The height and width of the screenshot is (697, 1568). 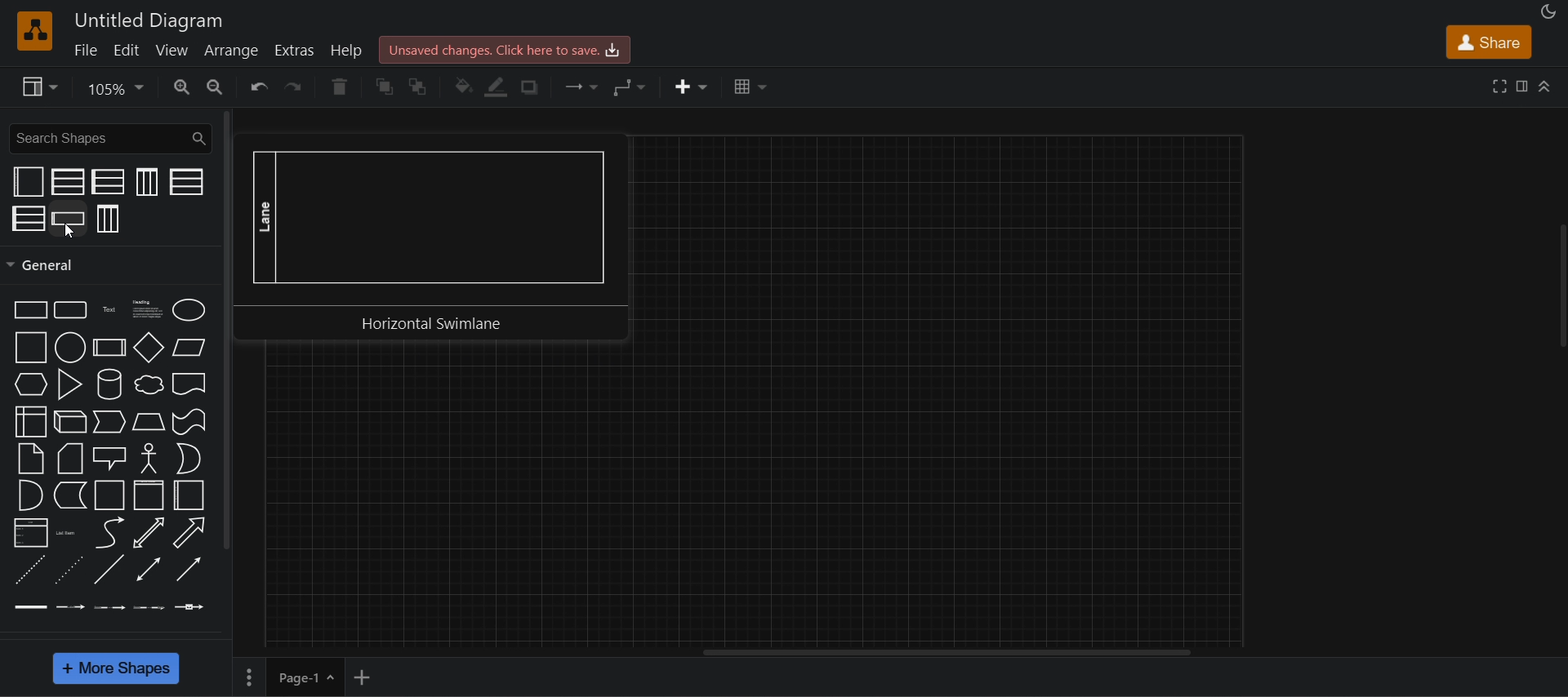 I want to click on bidirectional connector, so click(x=148, y=570).